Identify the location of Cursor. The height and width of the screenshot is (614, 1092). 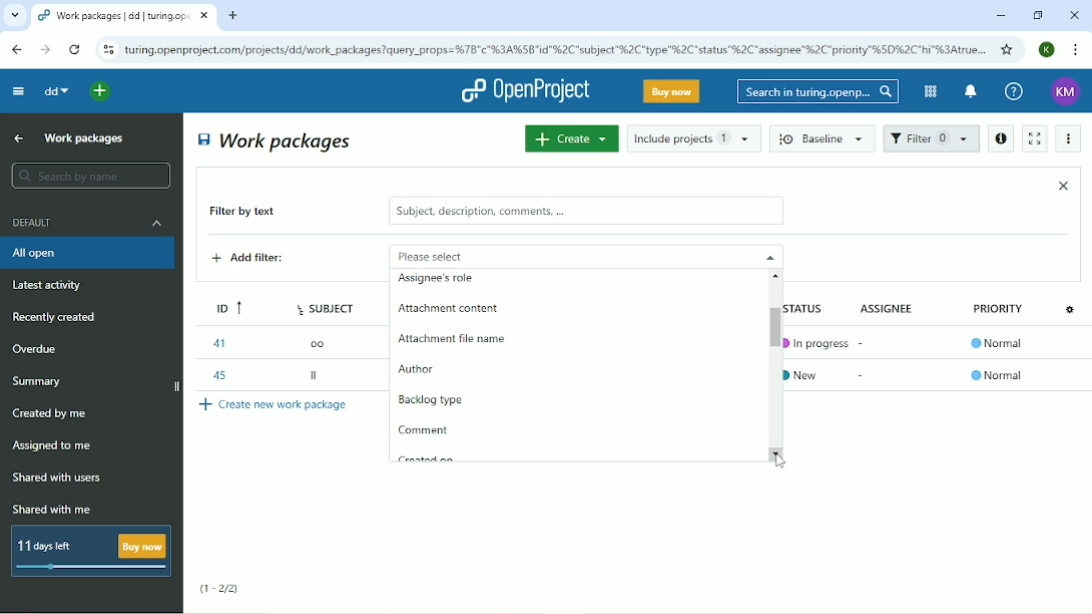
(779, 460).